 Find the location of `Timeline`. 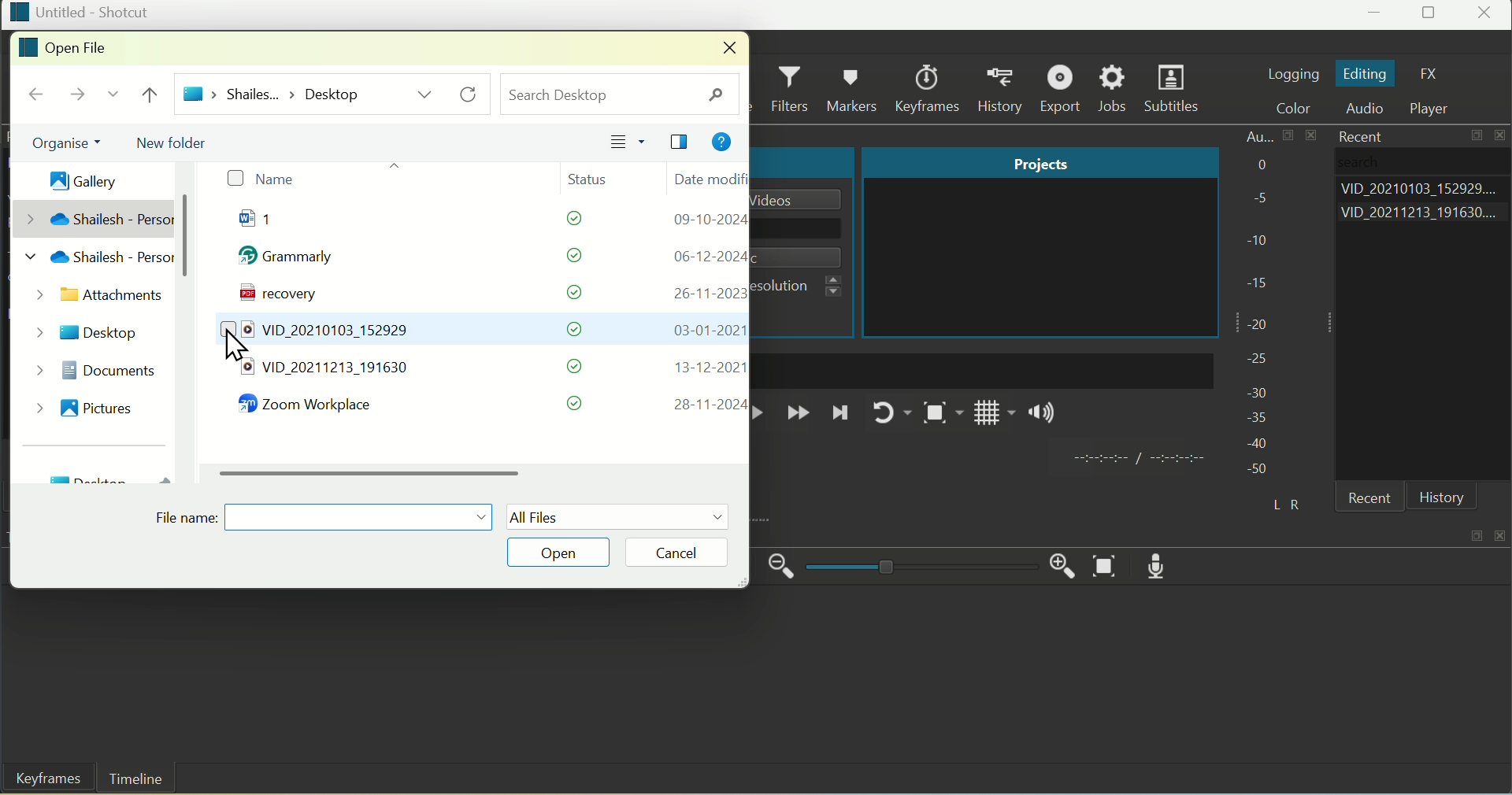

Timeline is located at coordinates (136, 779).